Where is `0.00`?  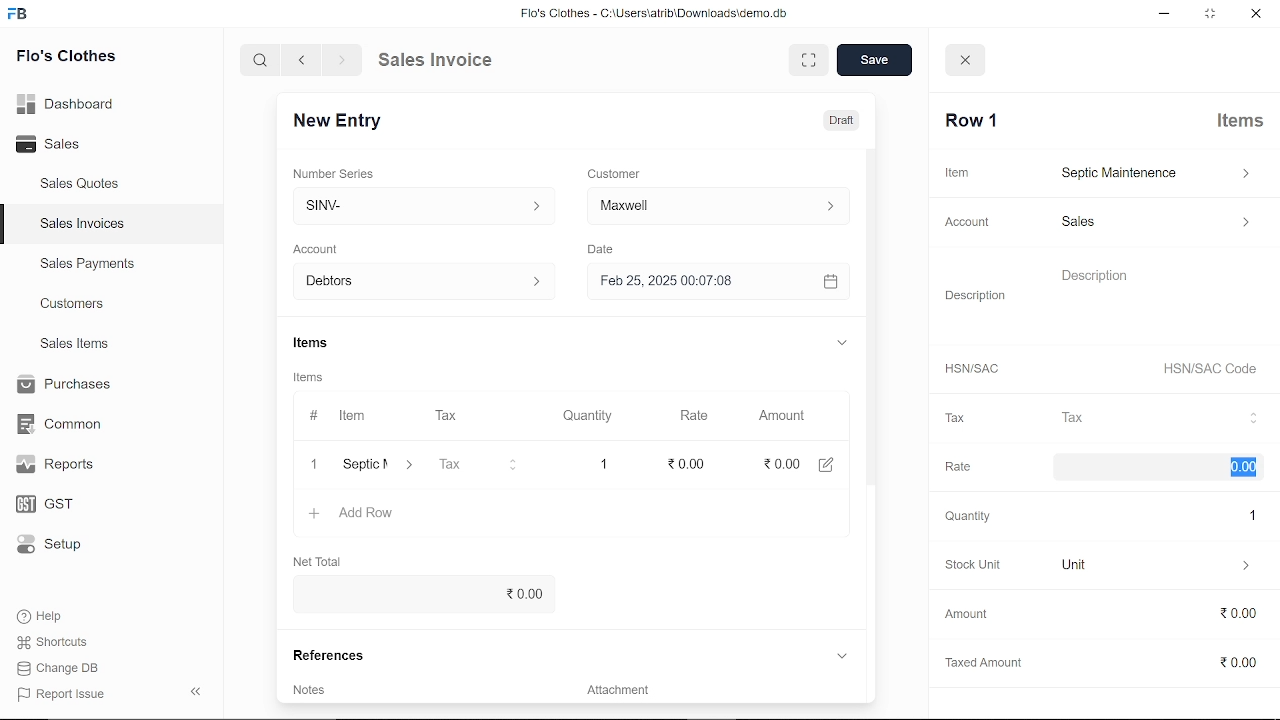 0.00 is located at coordinates (779, 463).